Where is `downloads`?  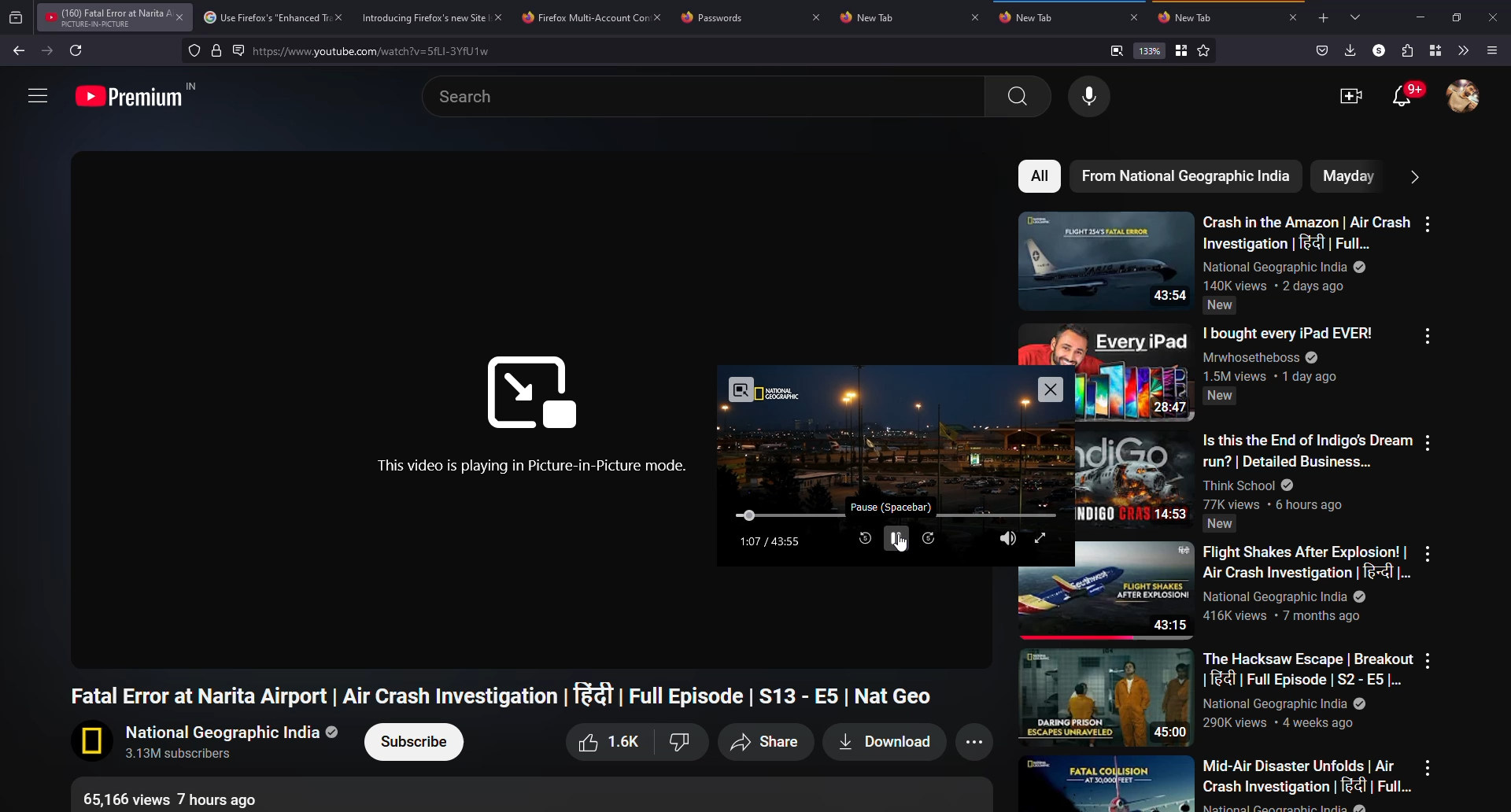 downloads is located at coordinates (1350, 50).